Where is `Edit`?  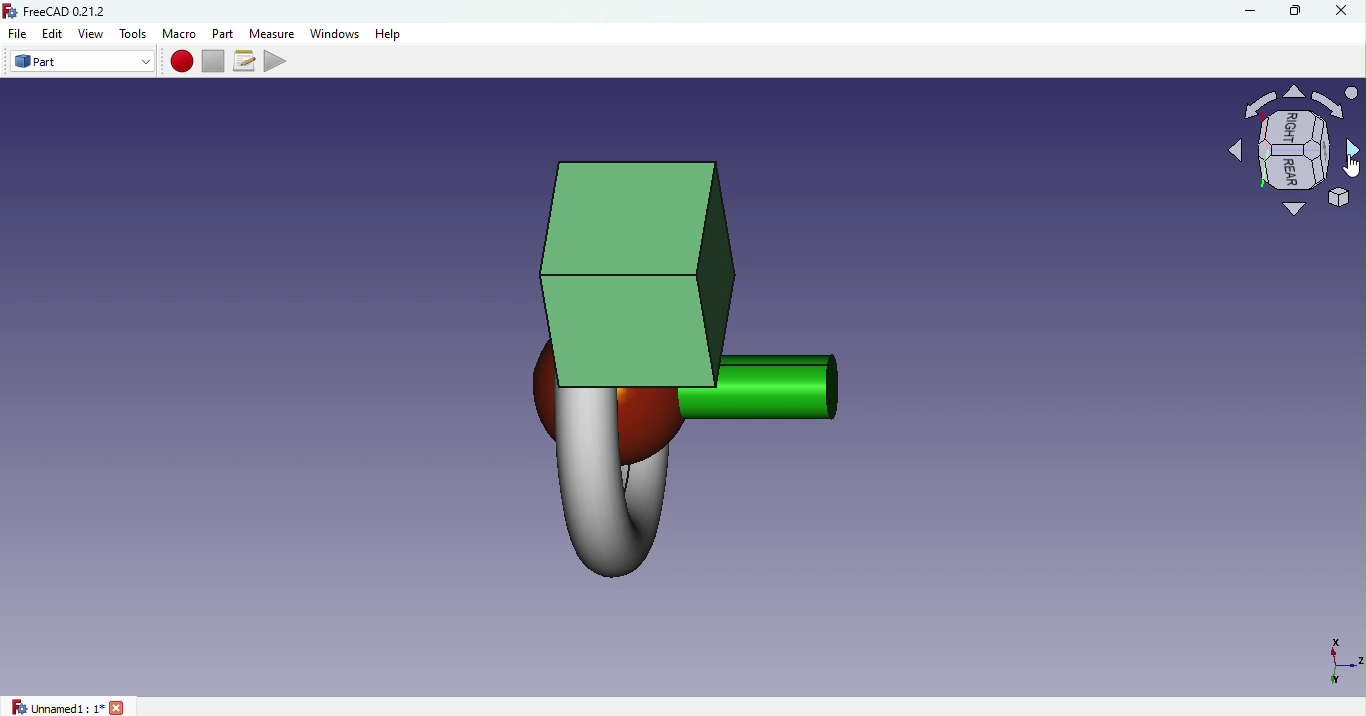
Edit is located at coordinates (54, 34).